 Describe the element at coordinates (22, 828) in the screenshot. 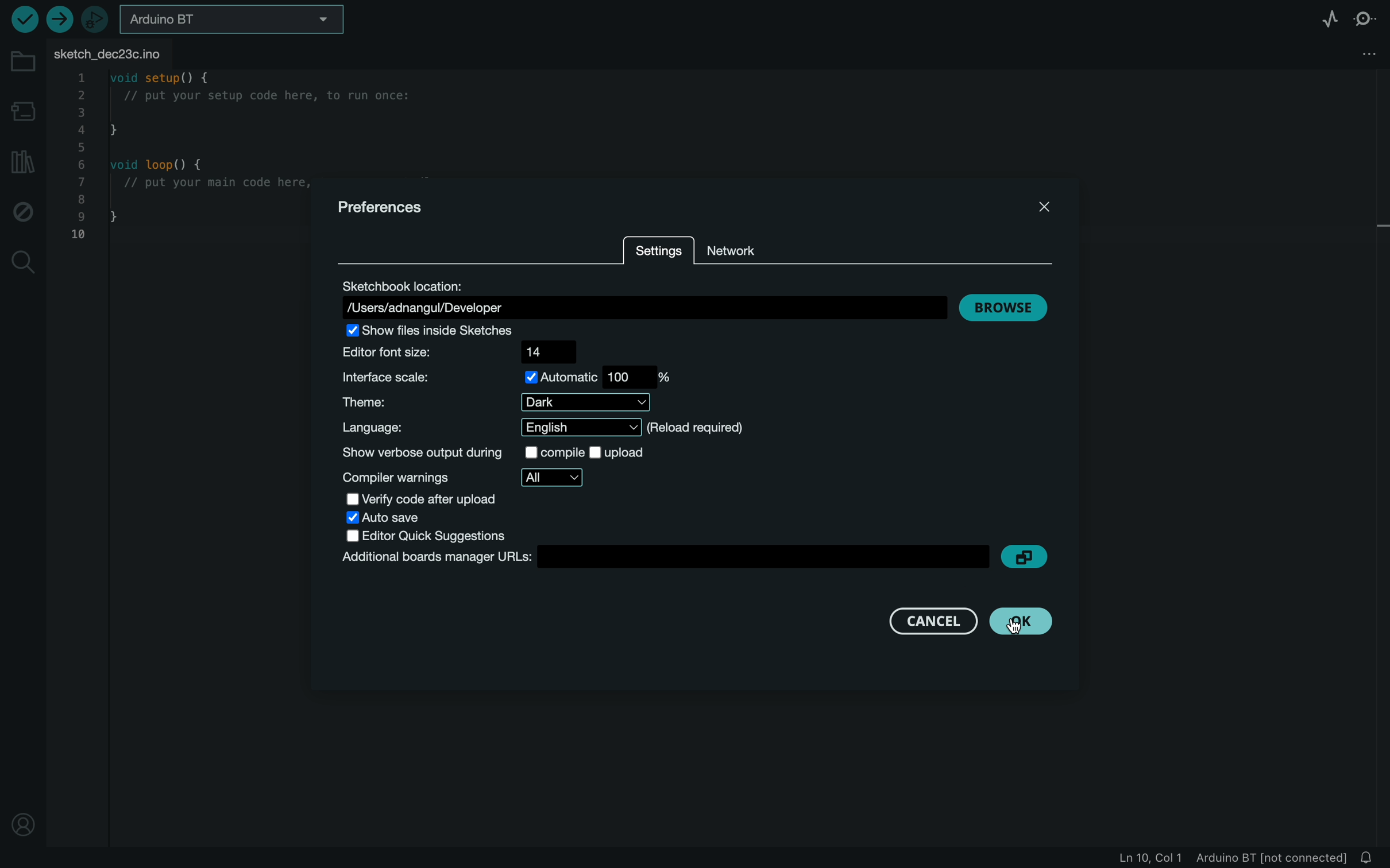

I see `profile` at that location.